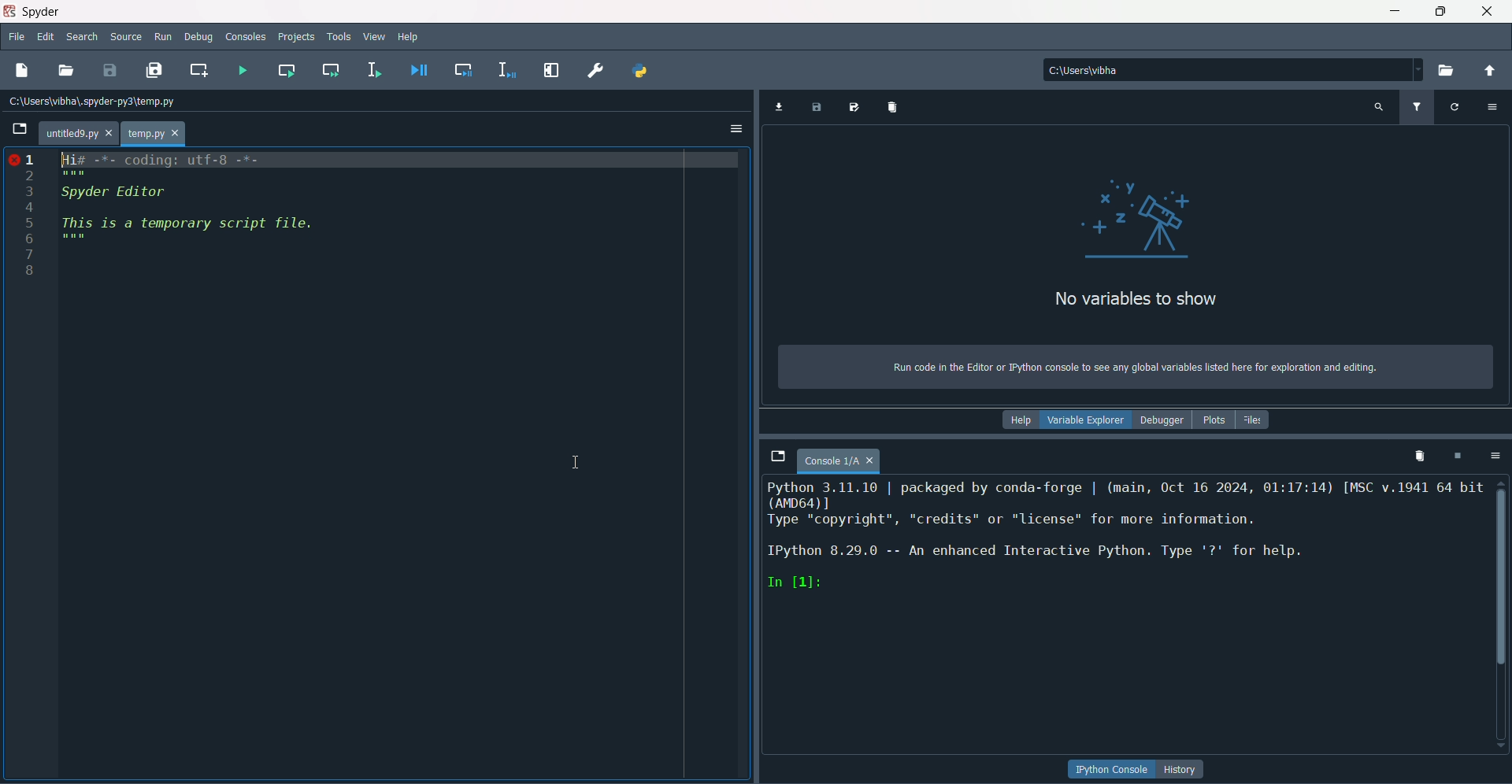 This screenshot has width=1512, height=784. Describe the element at coordinates (32, 12) in the screenshot. I see `name and logo` at that location.